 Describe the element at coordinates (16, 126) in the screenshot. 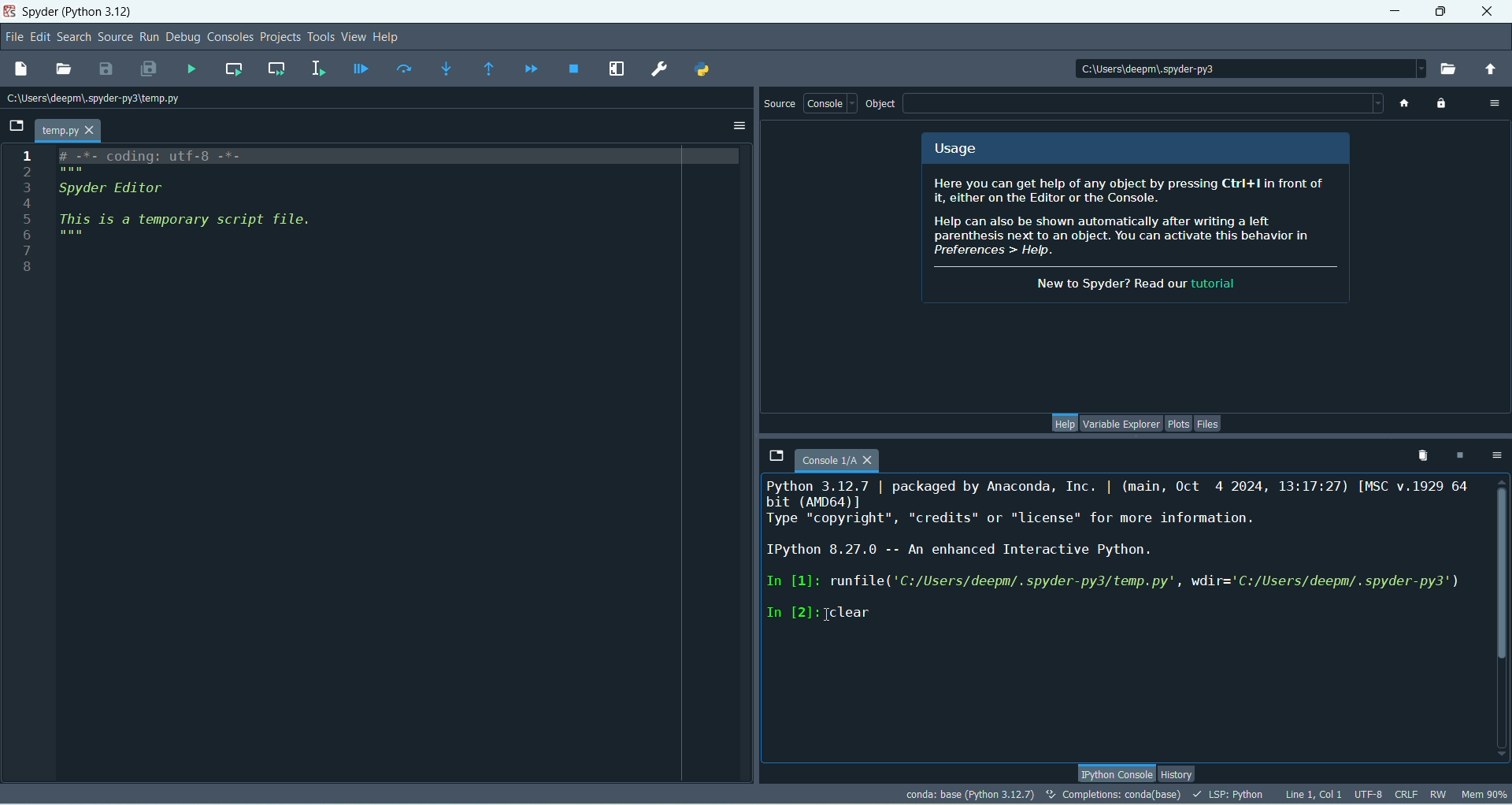

I see `browse tabs` at that location.